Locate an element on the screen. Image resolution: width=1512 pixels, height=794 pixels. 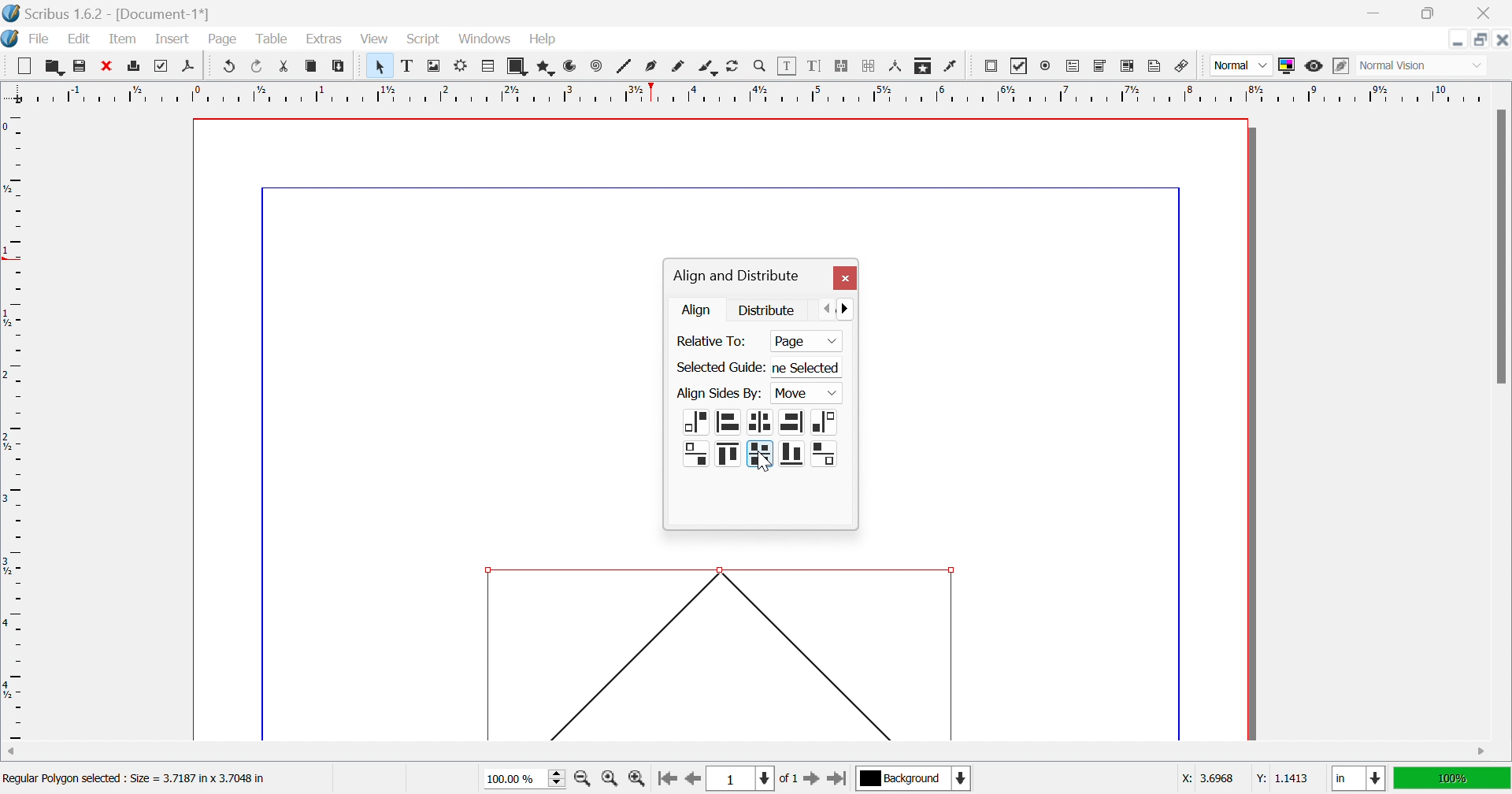
Windows is located at coordinates (487, 39).